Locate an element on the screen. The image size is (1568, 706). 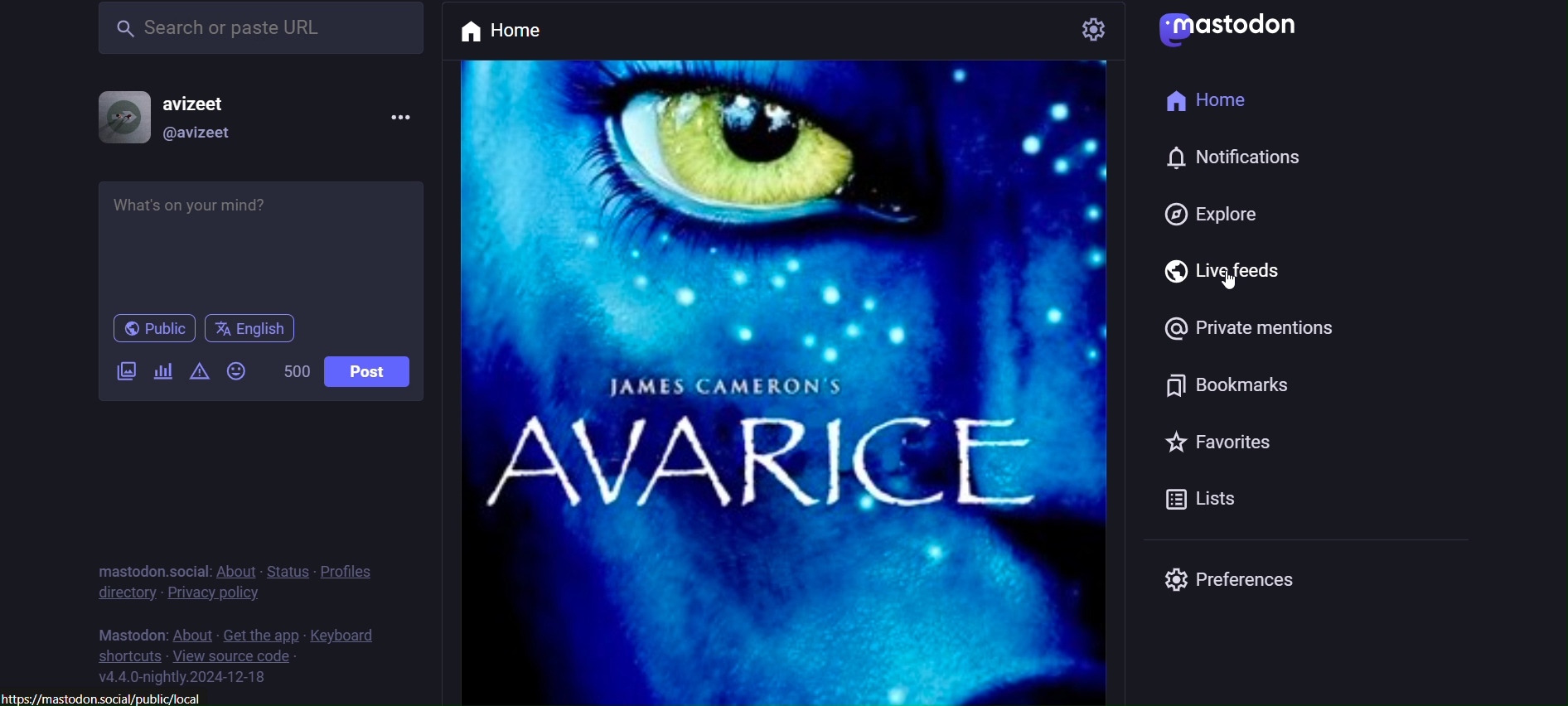
status is located at coordinates (283, 563).